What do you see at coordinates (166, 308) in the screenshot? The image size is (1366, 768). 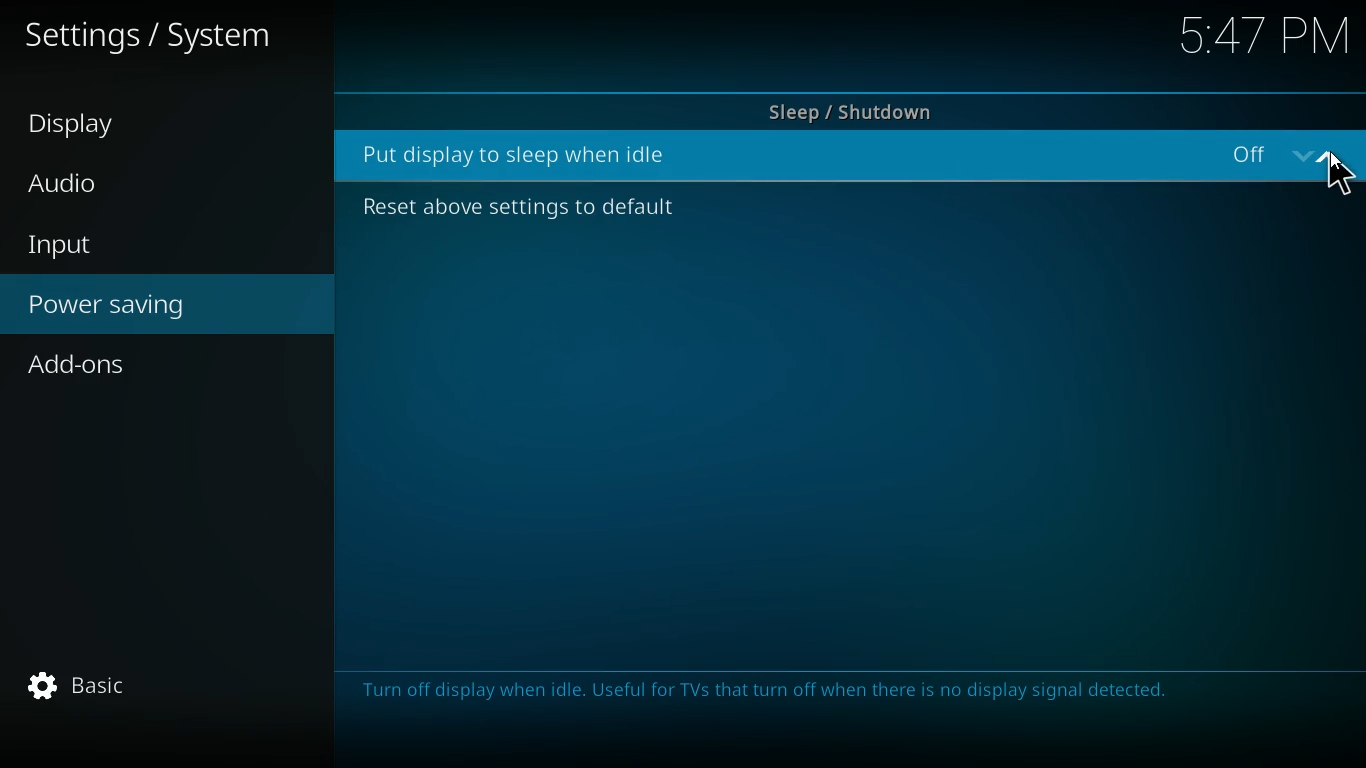 I see `power saving` at bounding box center [166, 308].